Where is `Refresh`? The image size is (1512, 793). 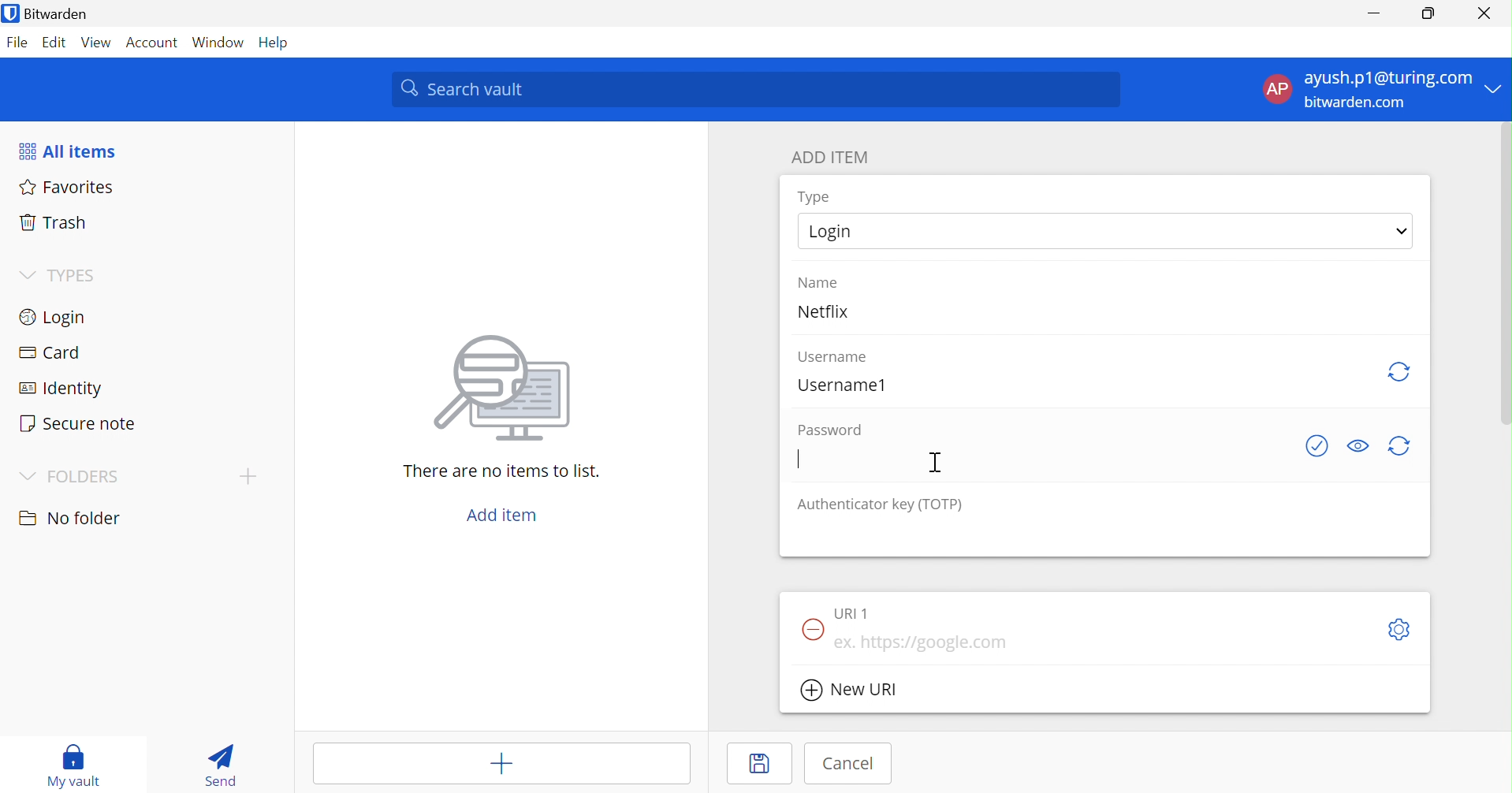
Refresh is located at coordinates (1402, 374).